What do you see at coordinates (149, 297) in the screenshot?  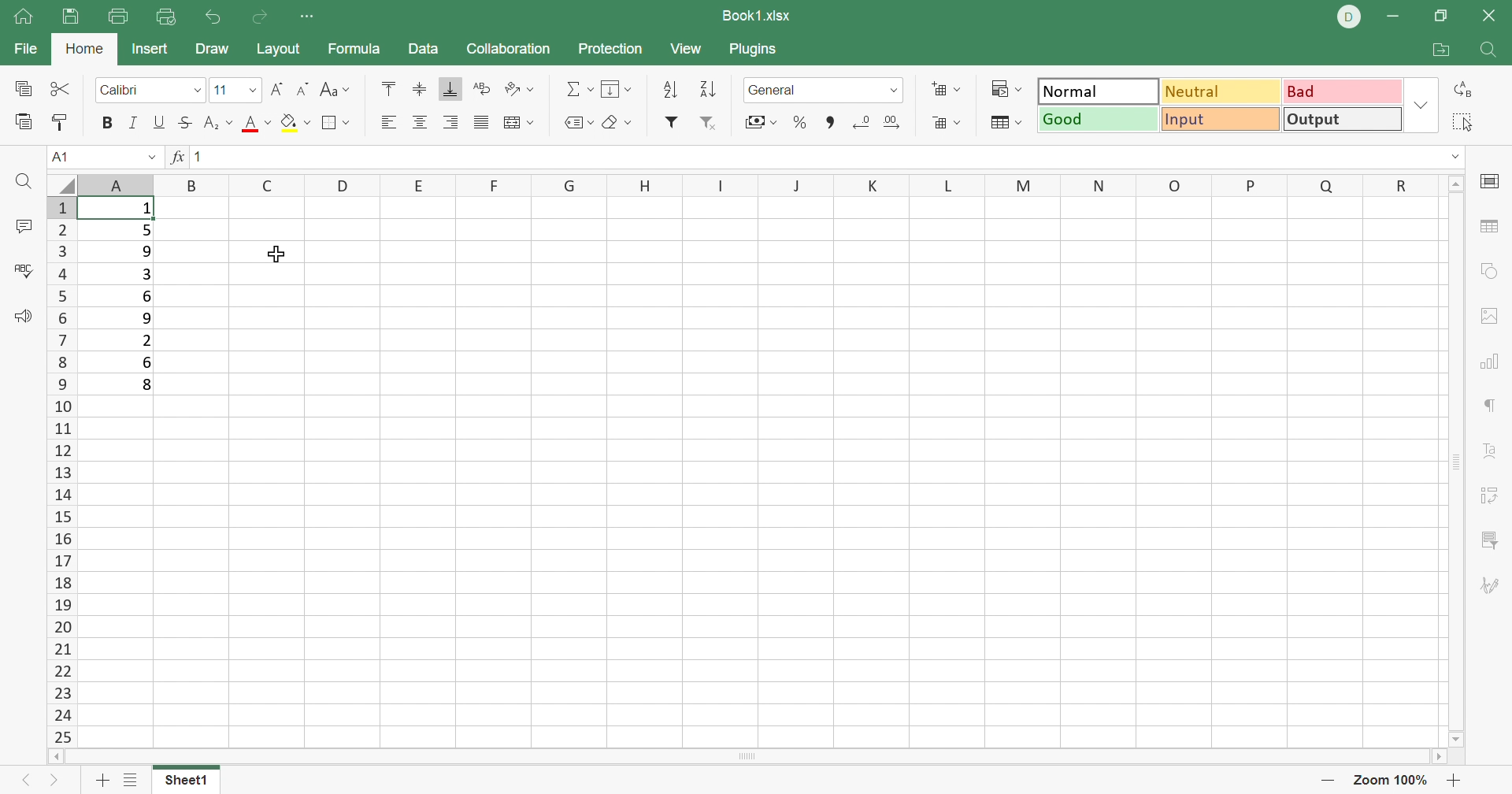 I see `6` at bounding box center [149, 297].